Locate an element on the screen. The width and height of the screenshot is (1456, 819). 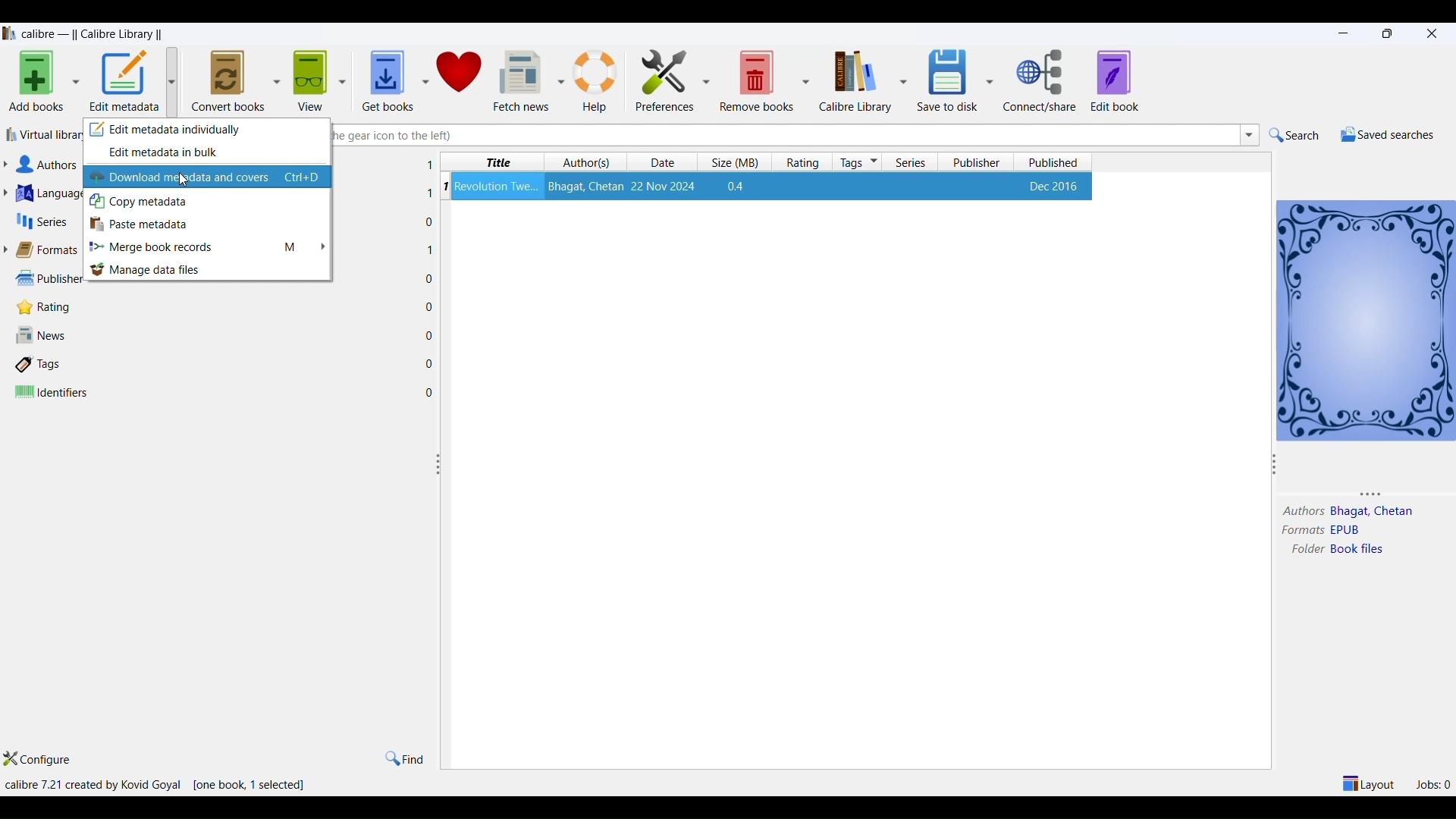
edit metadata in bulk is located at coordinates (206, 154).